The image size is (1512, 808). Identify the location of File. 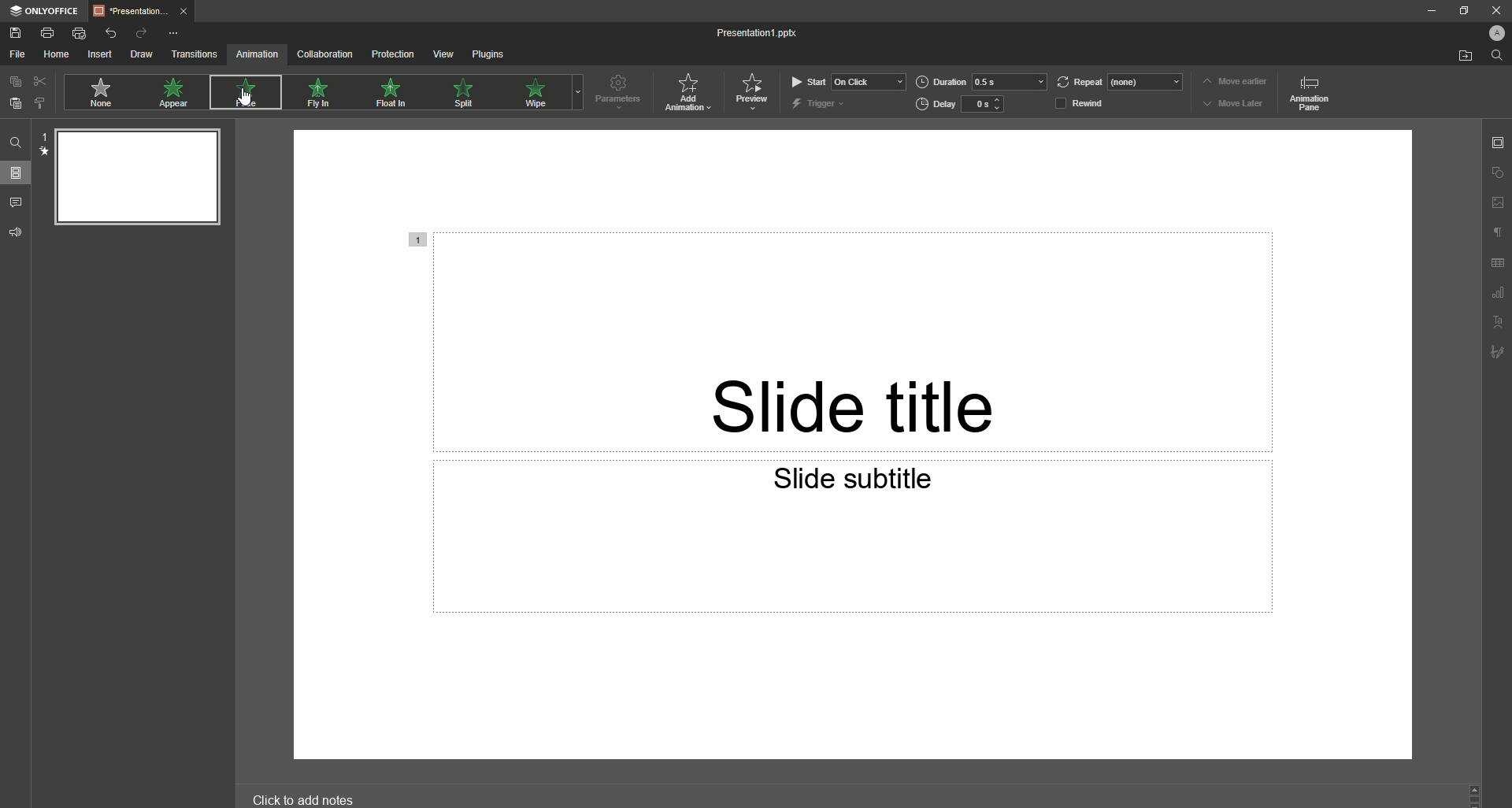
(15, 54).